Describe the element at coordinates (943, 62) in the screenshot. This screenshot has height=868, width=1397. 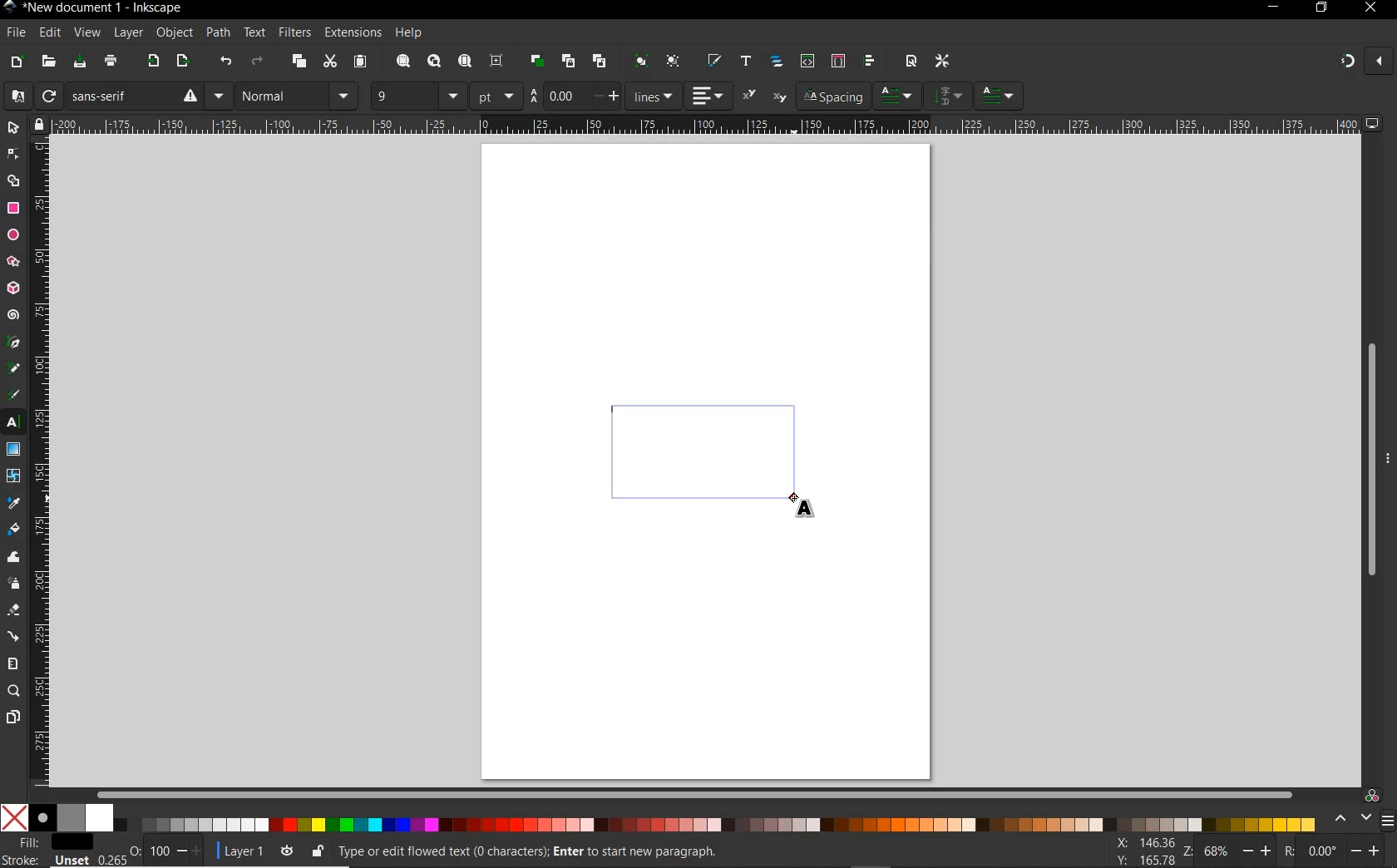
I see `open preferences` at that location.